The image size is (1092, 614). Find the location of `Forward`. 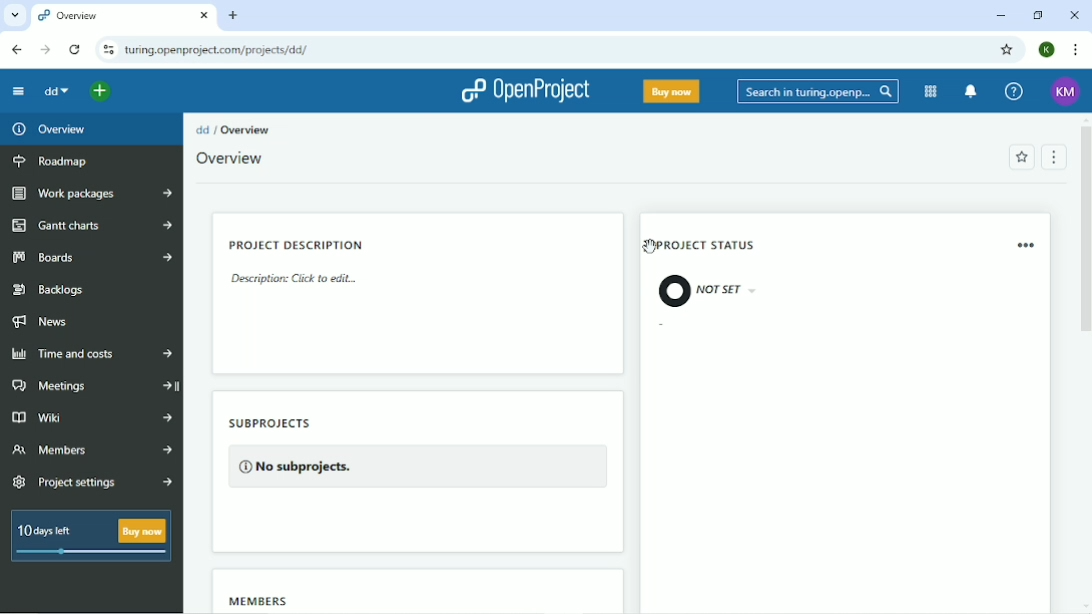

Forward is located at coordinates (45, 50).